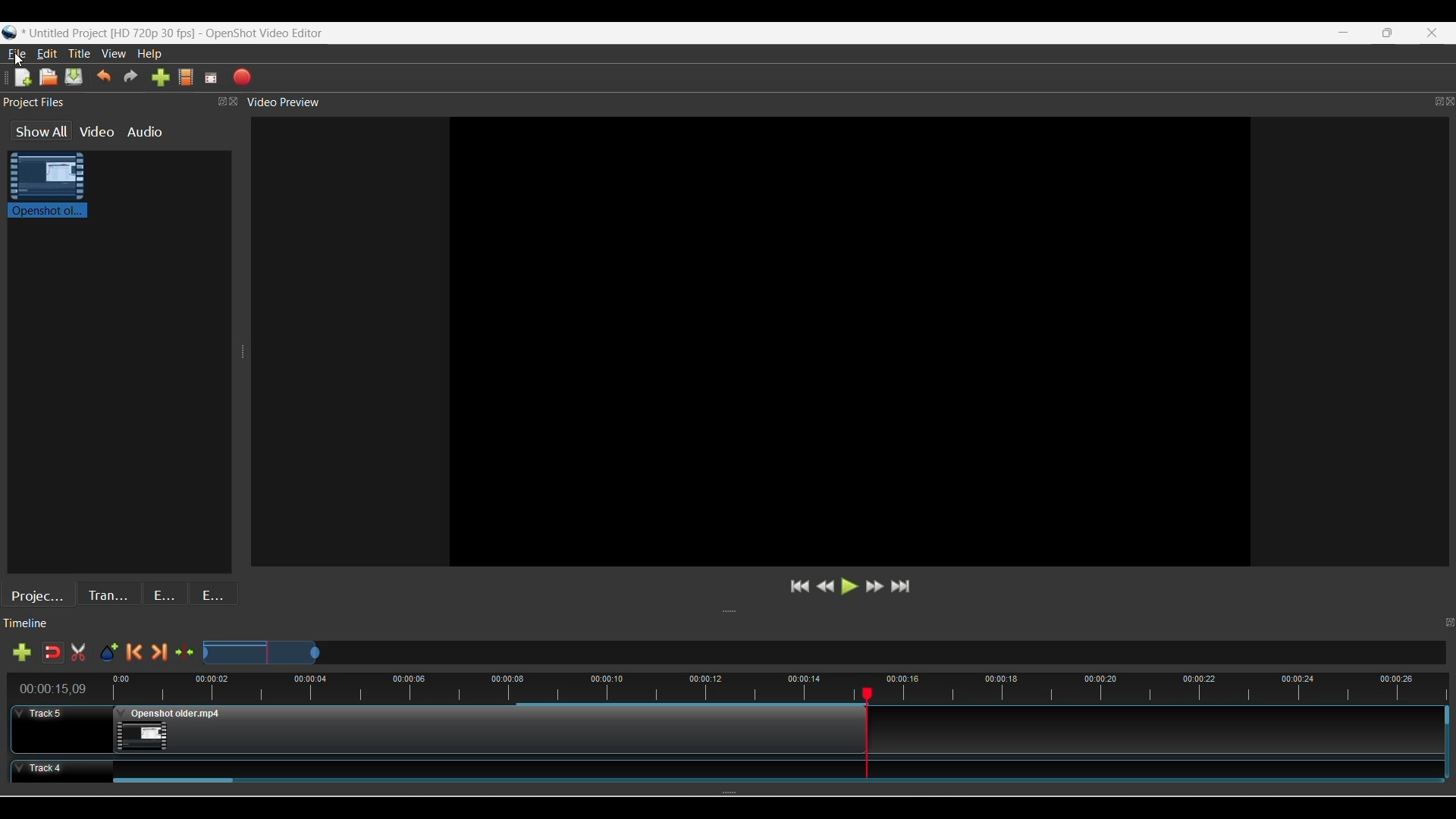 The image size is (1456, 819). What do you see at coordinates (166, 593) in the screenshot?
I see `Effects` at bounding box center [166, 593].